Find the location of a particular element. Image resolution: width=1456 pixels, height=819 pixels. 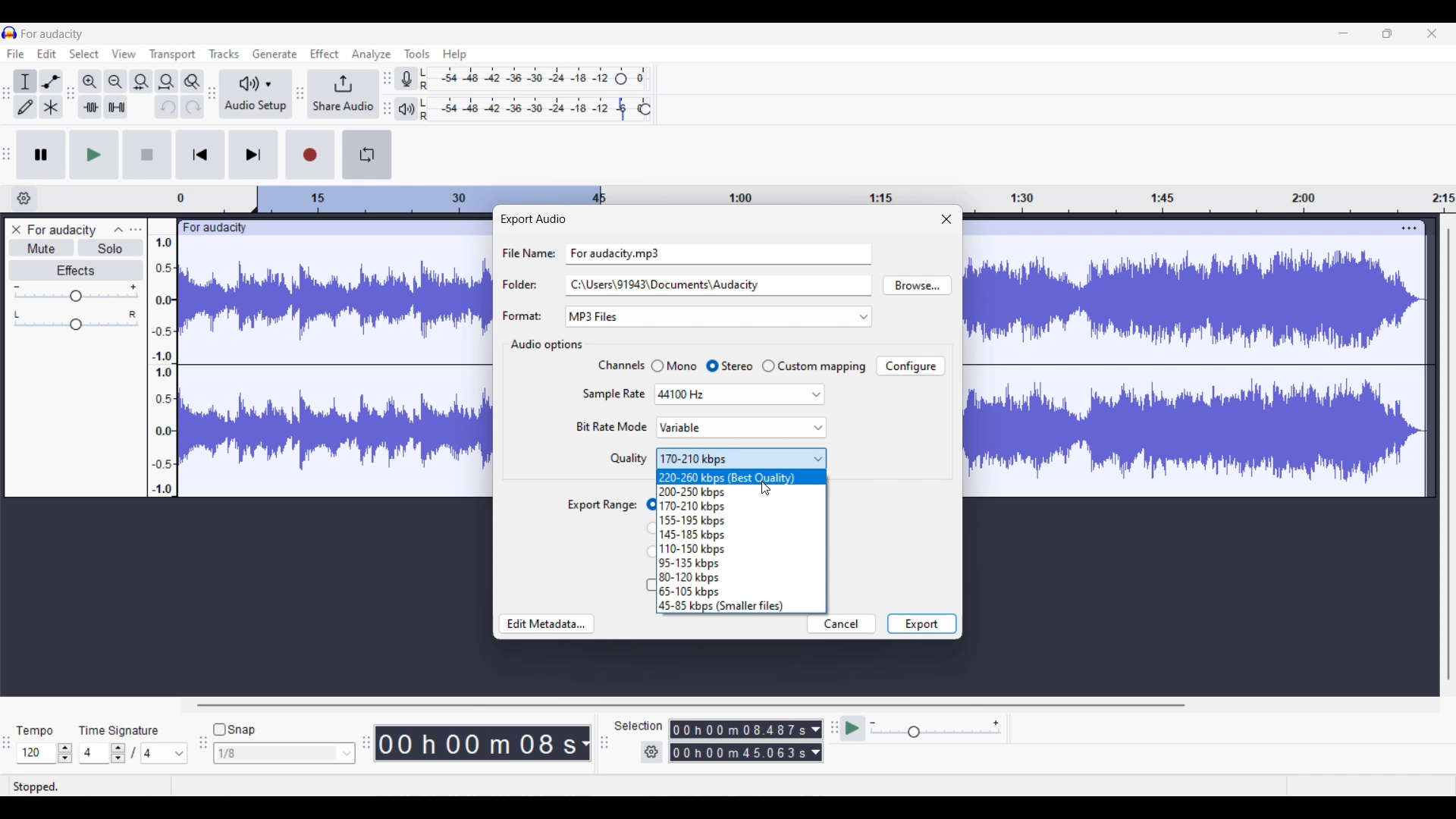

Track settings is located at coordinates (1409, 227).